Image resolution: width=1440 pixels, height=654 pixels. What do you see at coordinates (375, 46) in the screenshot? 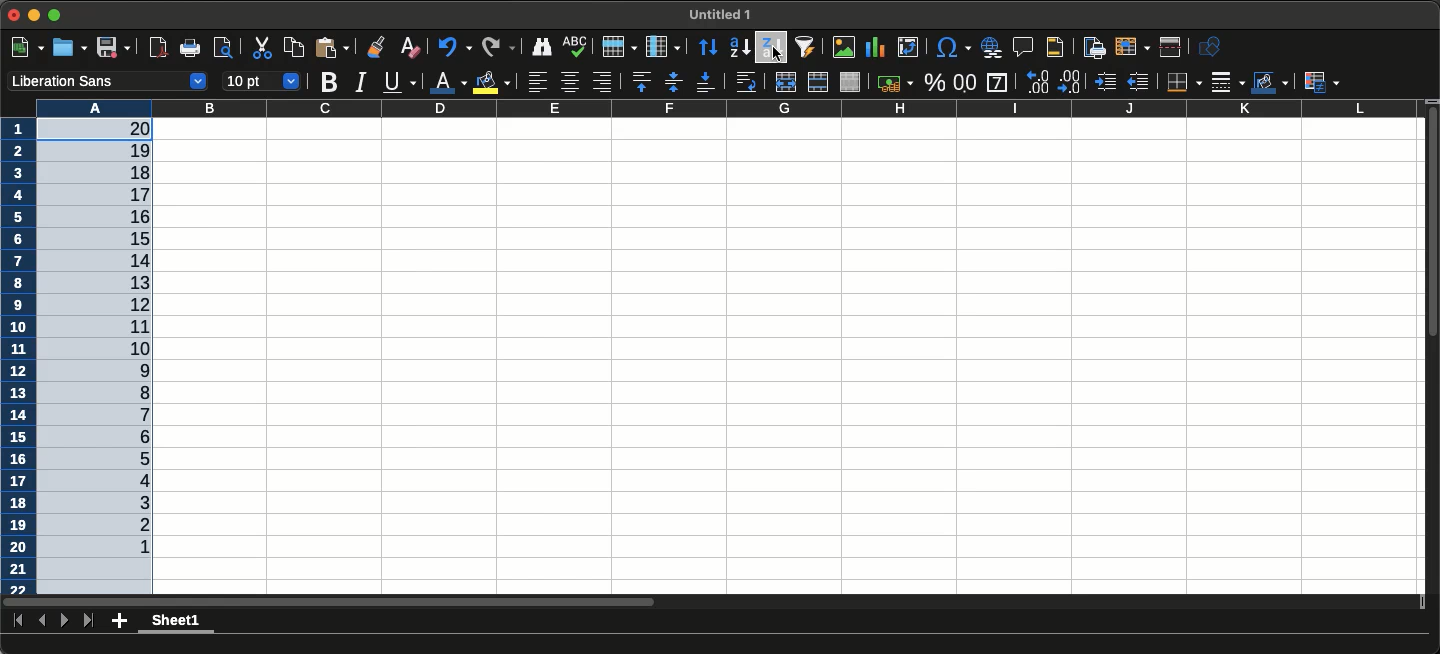
I see `Clone` at bounding box center [375, 46].